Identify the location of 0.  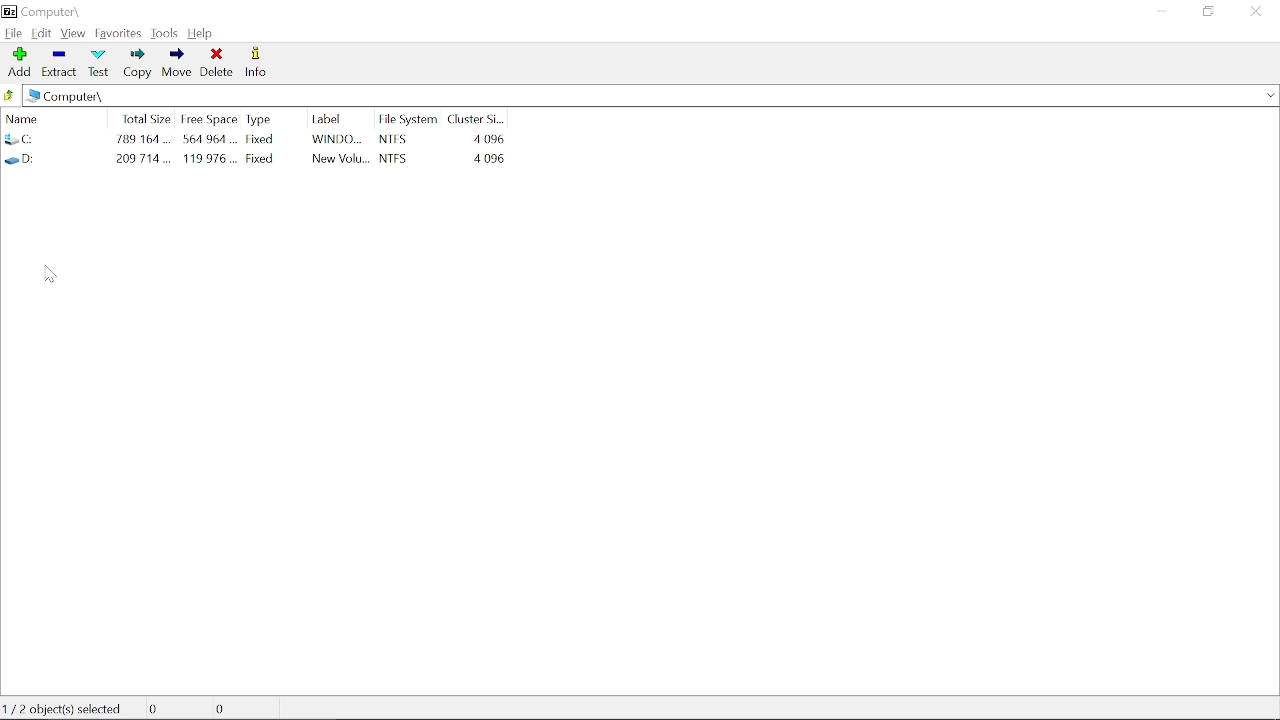
(166, 708).